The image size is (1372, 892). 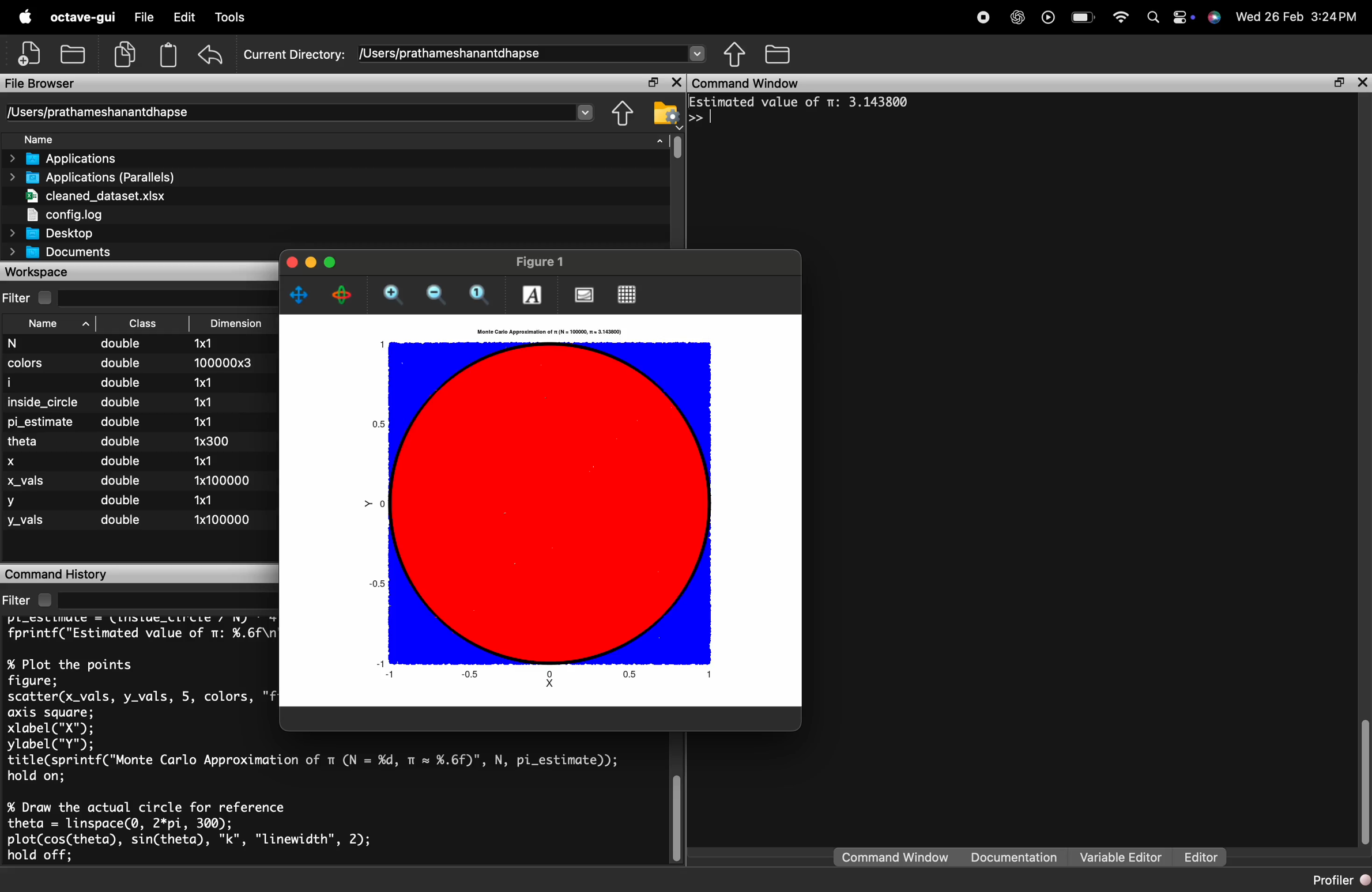 What do you see at coordinates (543, 516) in the screenshot?
I see `Graph` at bounding box center [543, 516].